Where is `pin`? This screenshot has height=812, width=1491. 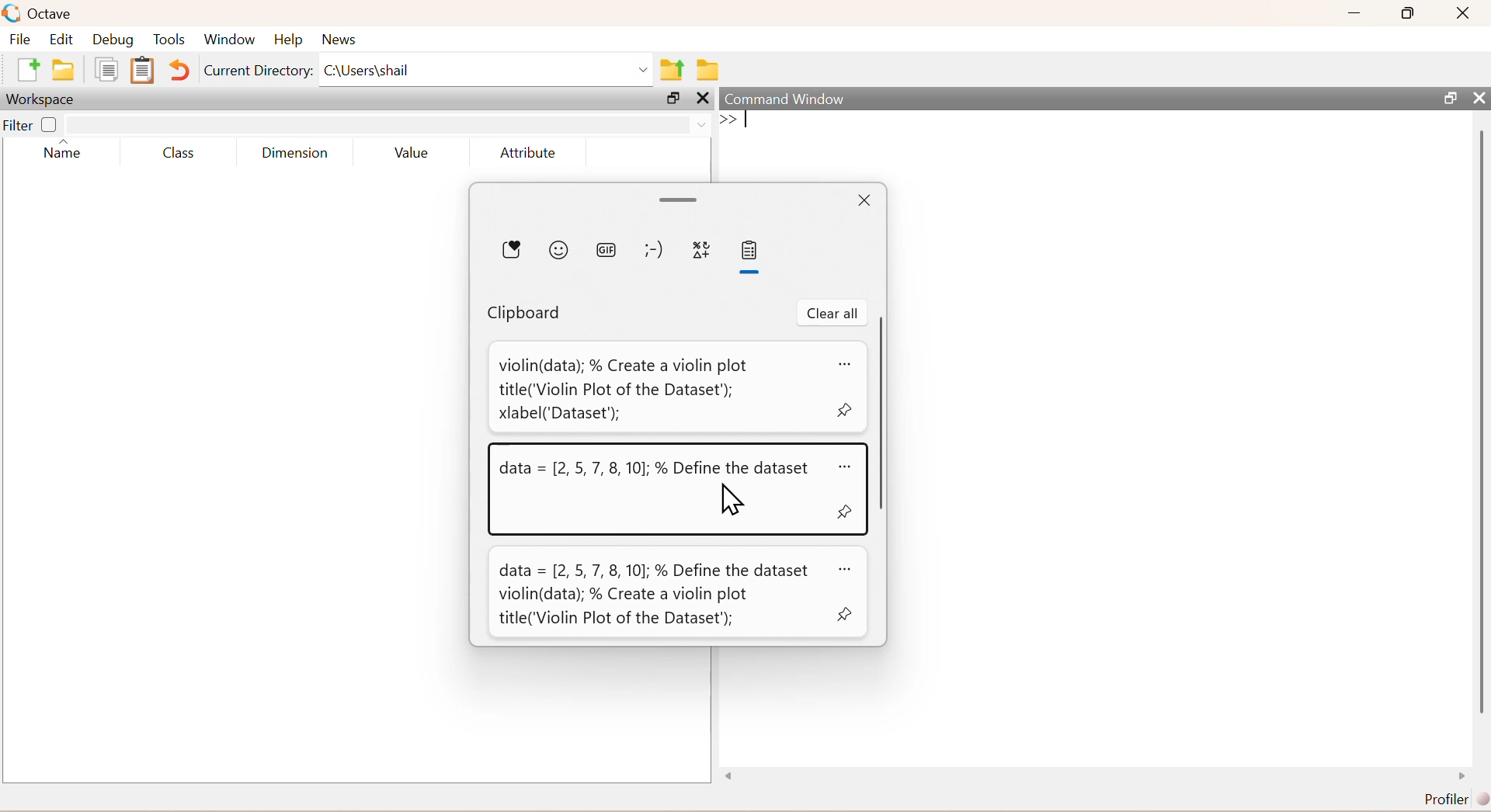 pin is located at coordinates (846, 410).